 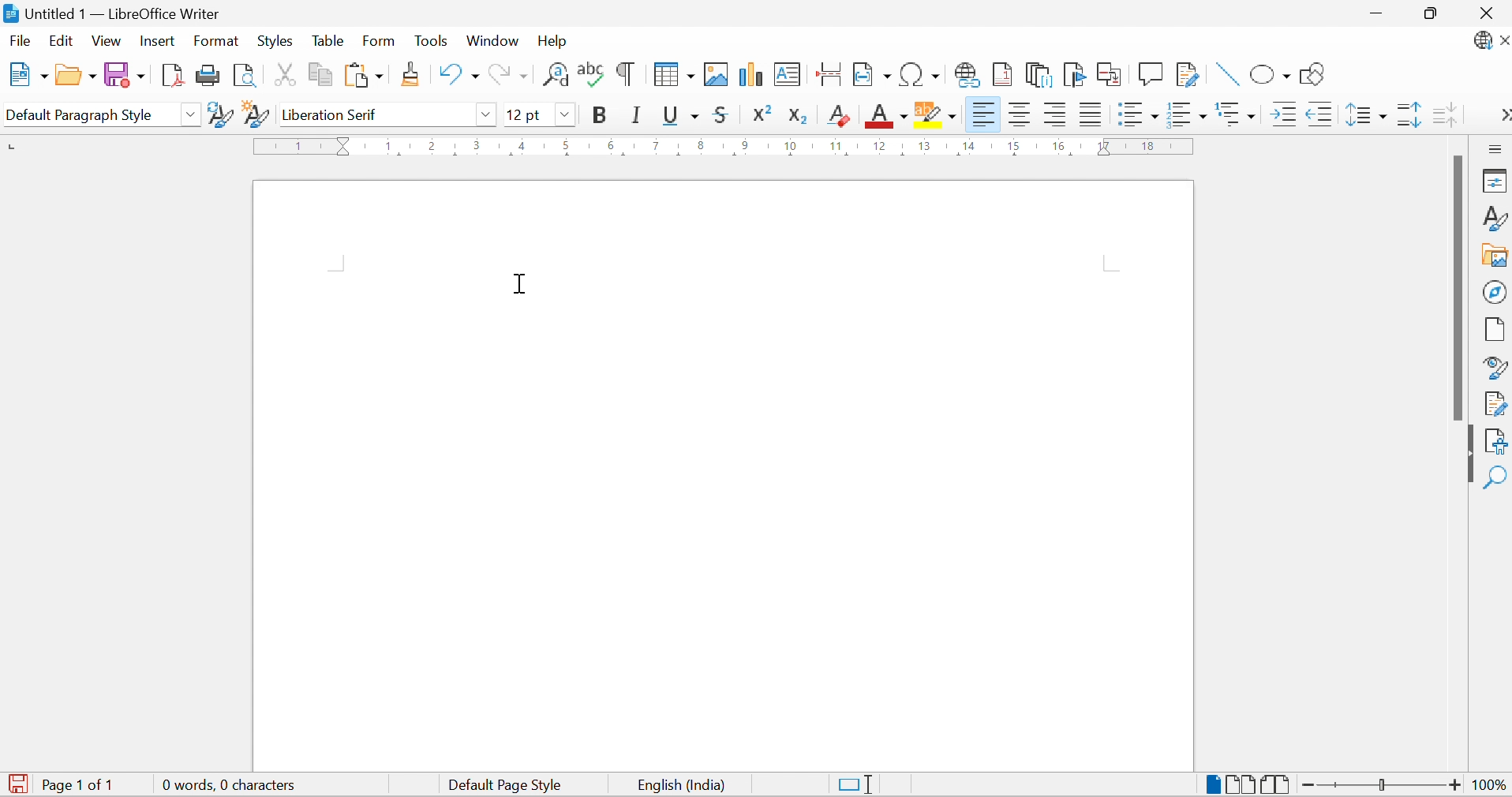 I want to click on 100%, so click(x=1484, y=786).